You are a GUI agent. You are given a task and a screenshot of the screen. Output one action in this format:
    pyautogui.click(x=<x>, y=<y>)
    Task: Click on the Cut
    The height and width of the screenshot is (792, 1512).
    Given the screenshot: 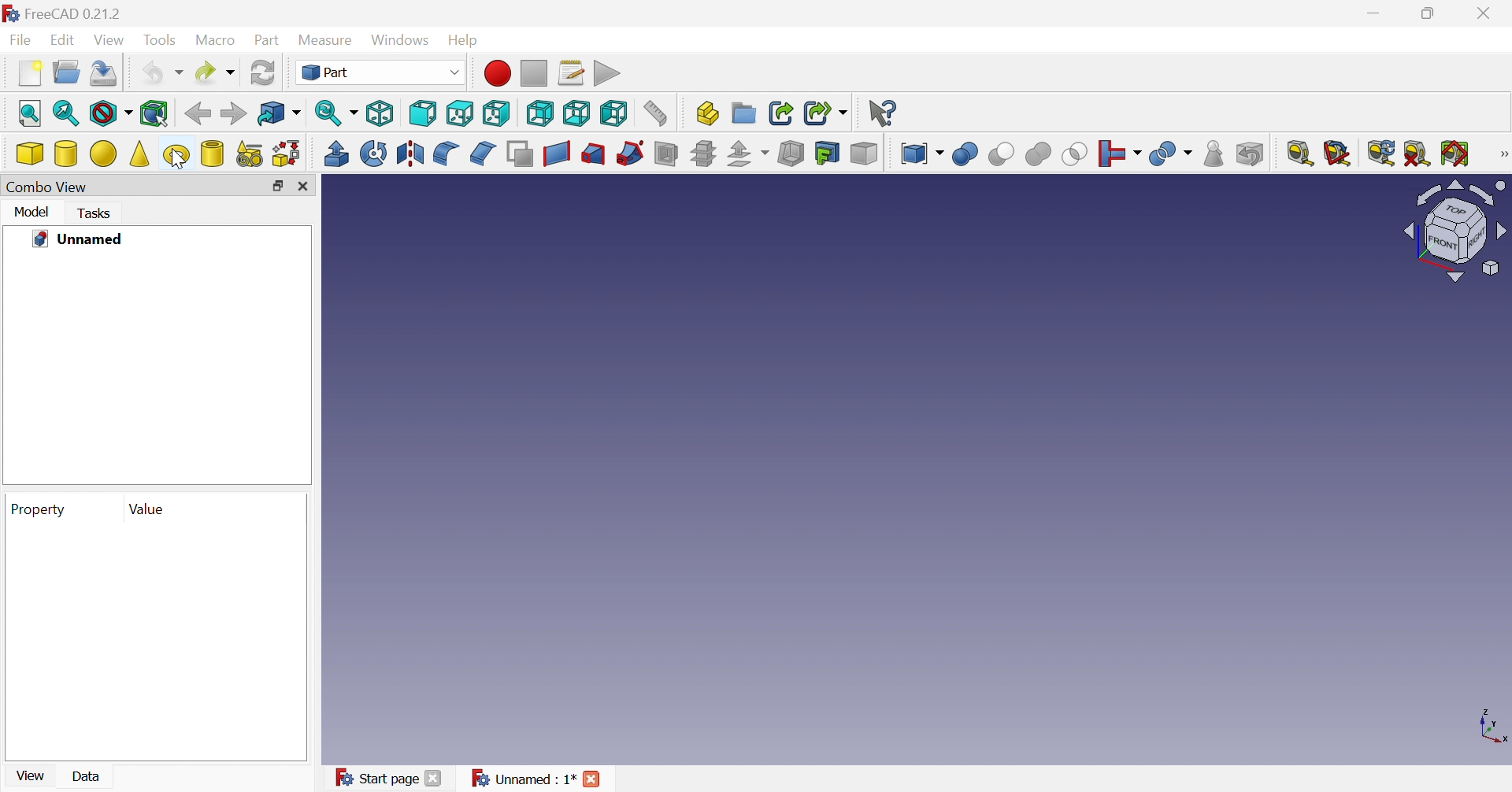 What is the action you would take?
    pyautogui.click(x=1002, y=154)
    